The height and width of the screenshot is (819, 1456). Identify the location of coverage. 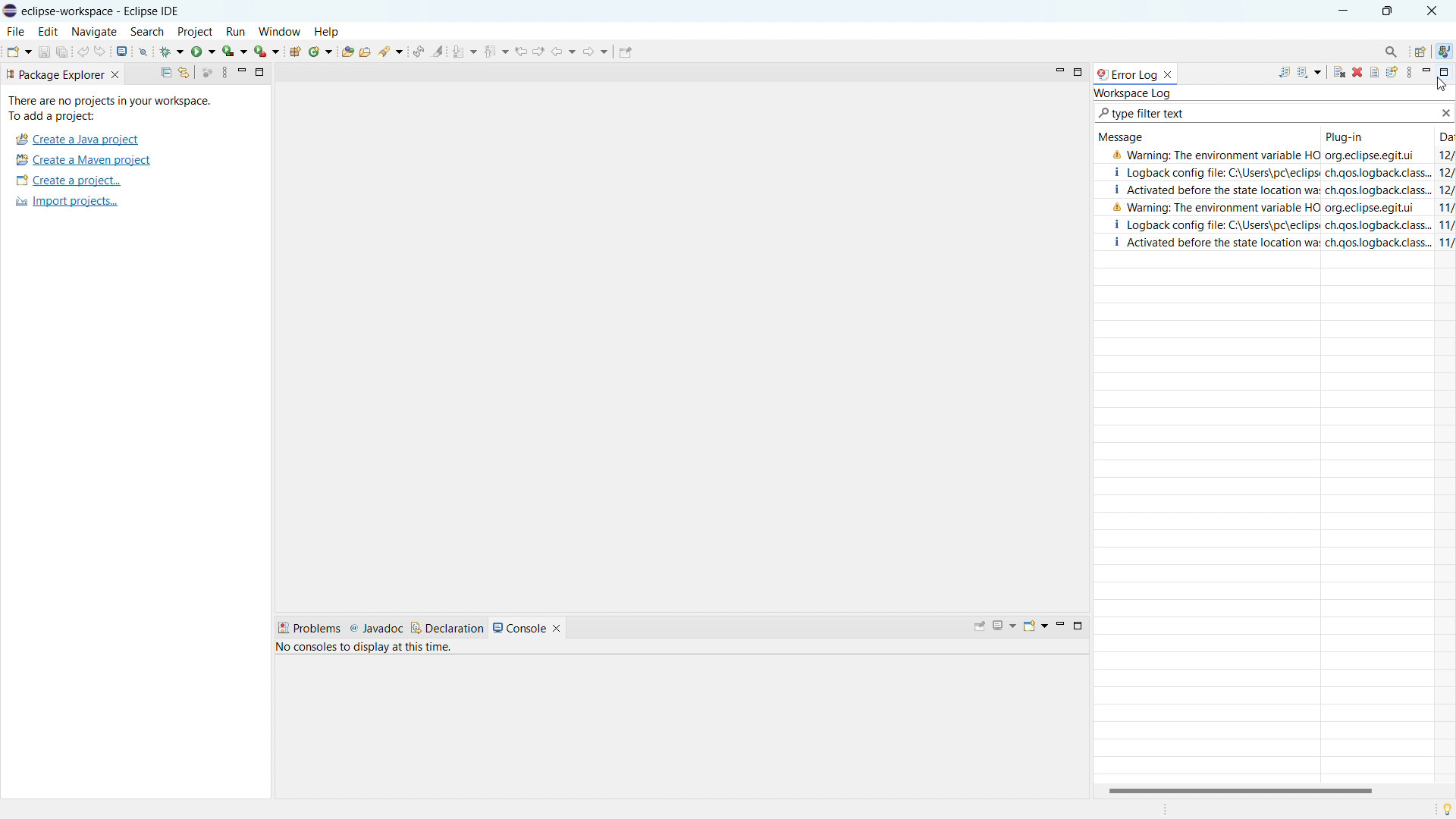
(234, 51).